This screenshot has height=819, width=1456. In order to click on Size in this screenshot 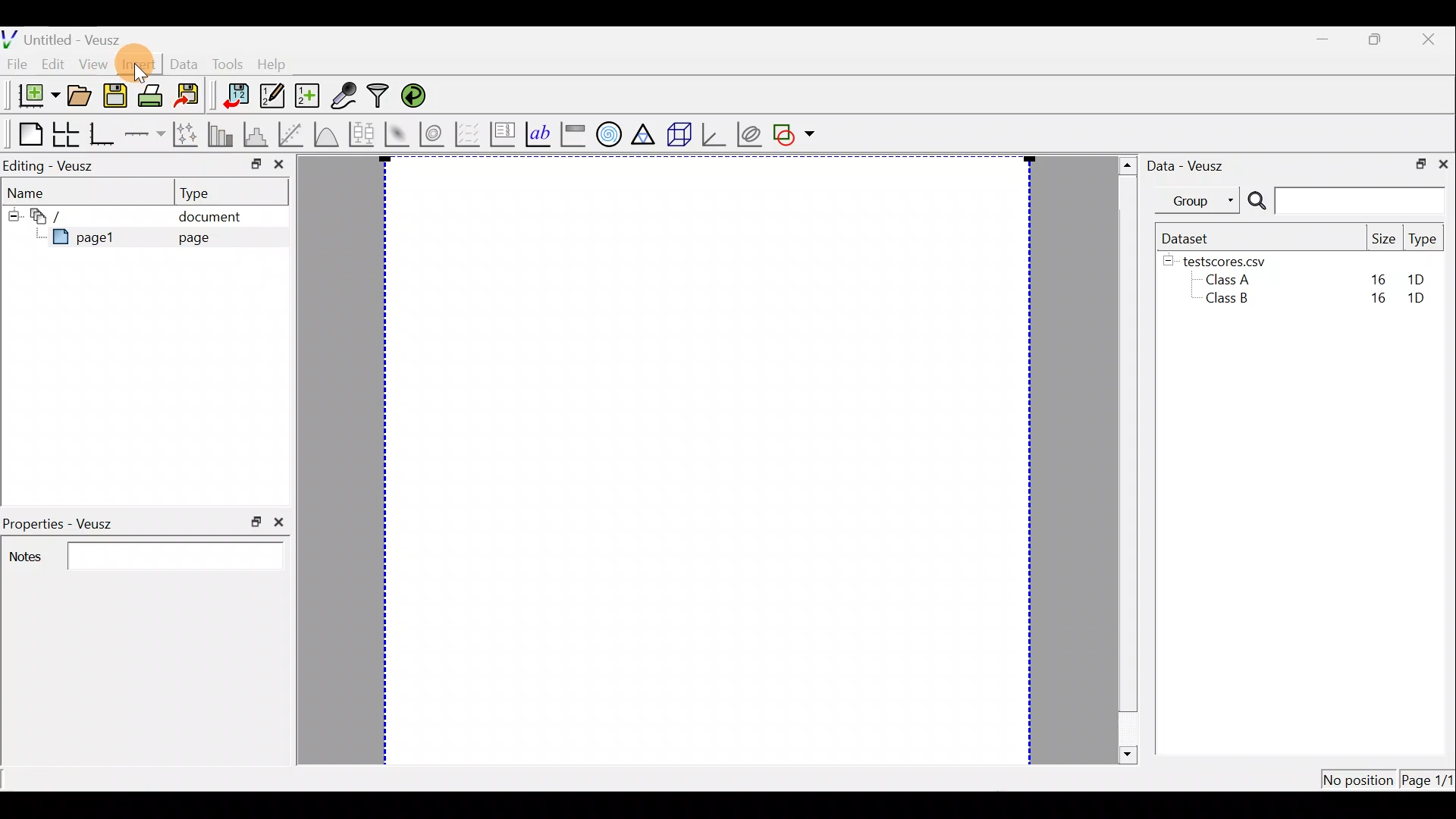, I will do `click(1384, 238)`.